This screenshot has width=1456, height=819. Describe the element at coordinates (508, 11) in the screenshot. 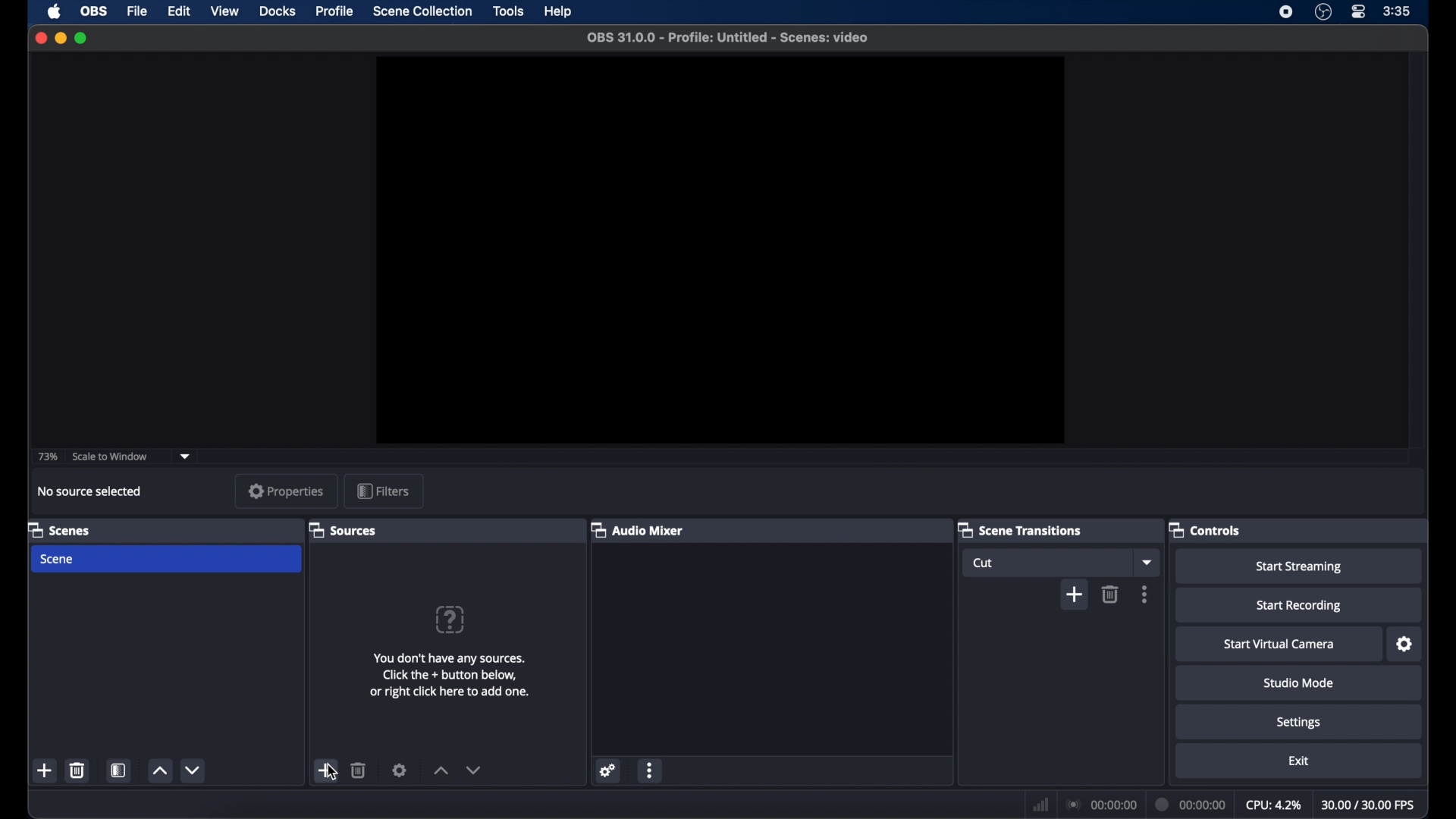

I see `tools` at that location.